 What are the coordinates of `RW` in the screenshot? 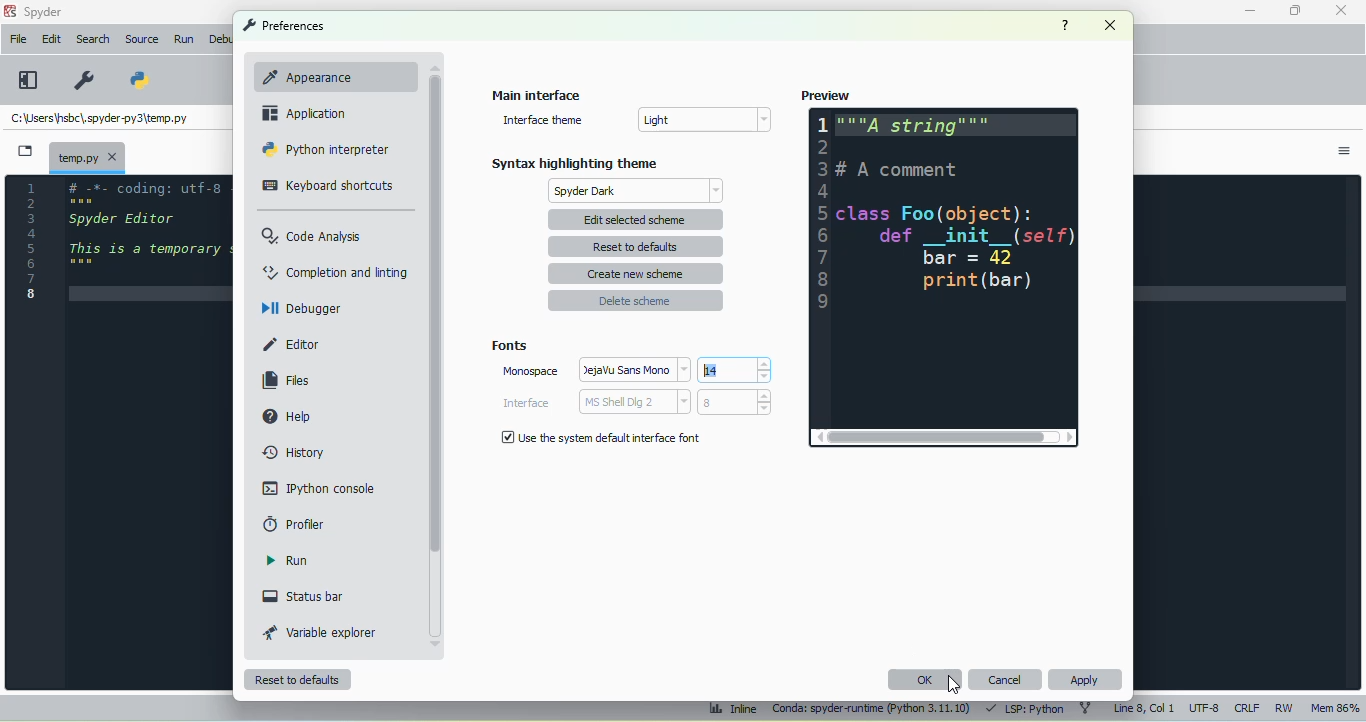 It's located at (1285, 707).